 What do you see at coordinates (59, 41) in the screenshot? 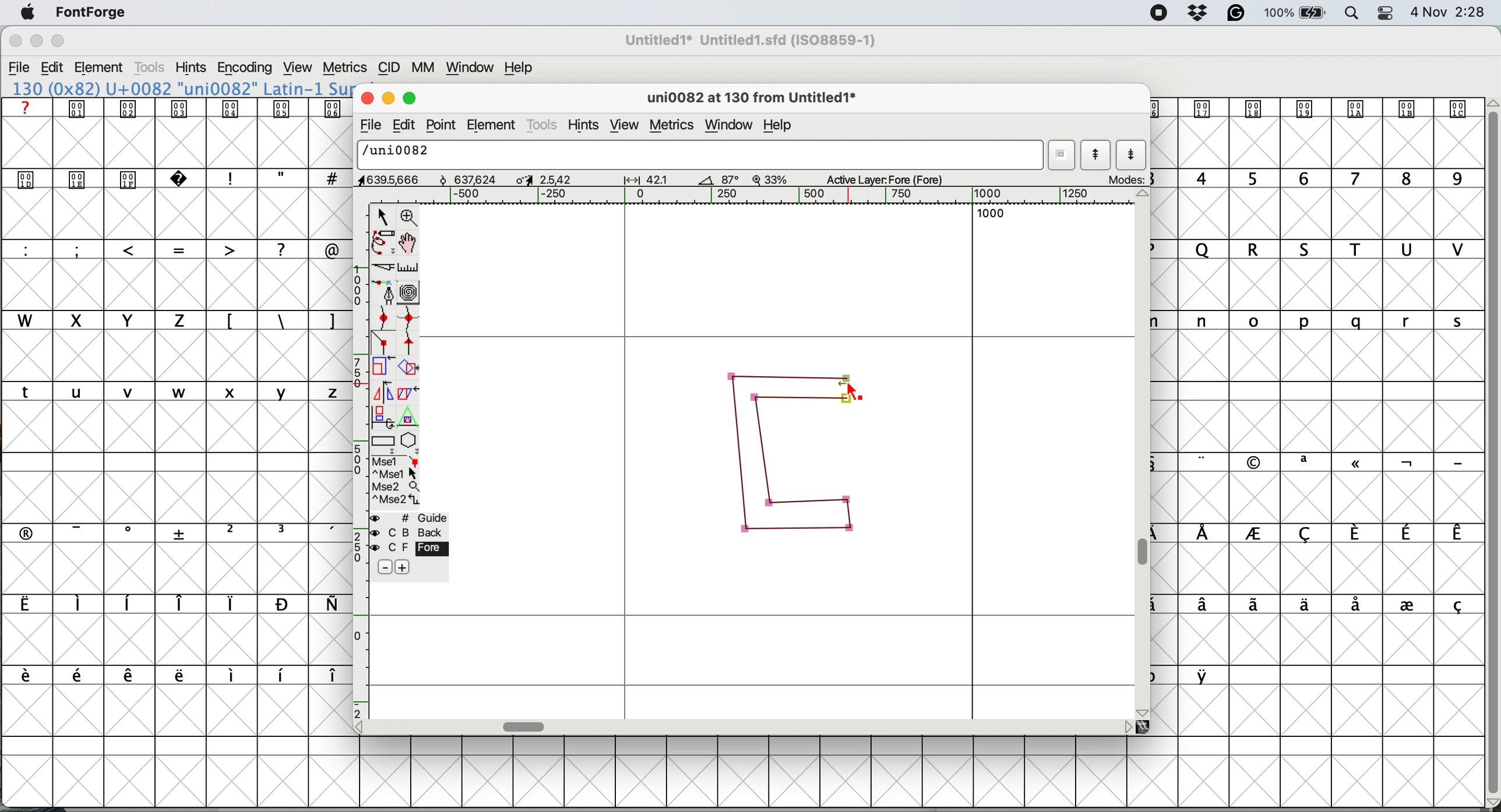
I see `maximise` at bounding box center [59, 41].